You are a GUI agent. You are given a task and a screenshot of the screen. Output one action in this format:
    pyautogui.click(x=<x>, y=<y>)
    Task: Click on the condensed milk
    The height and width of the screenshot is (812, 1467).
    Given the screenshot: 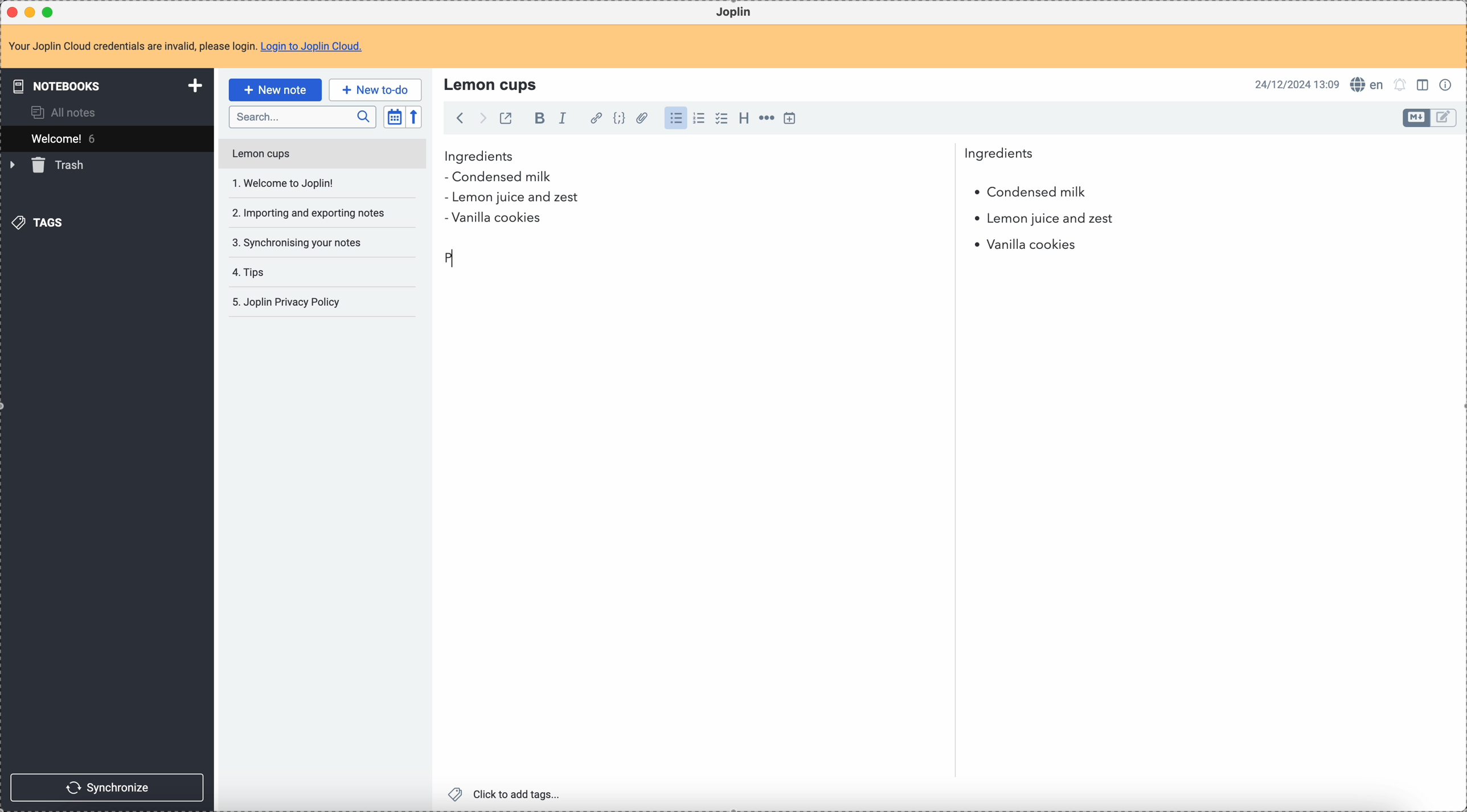 What is the action you would take?
    pyautogui.click(x=1029, y=192)
    